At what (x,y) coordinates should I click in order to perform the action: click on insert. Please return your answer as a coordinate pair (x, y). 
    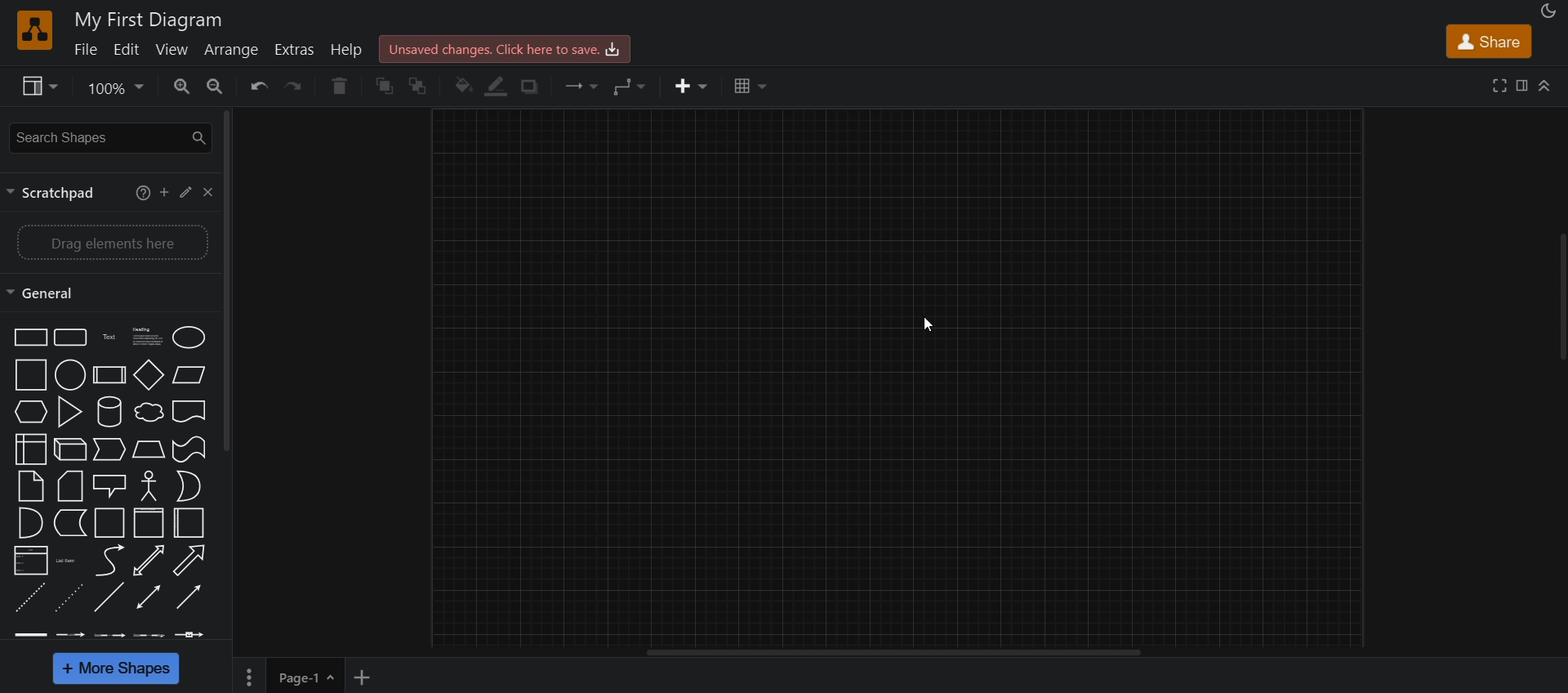
    Looking at the image, I should click on (687, 86).